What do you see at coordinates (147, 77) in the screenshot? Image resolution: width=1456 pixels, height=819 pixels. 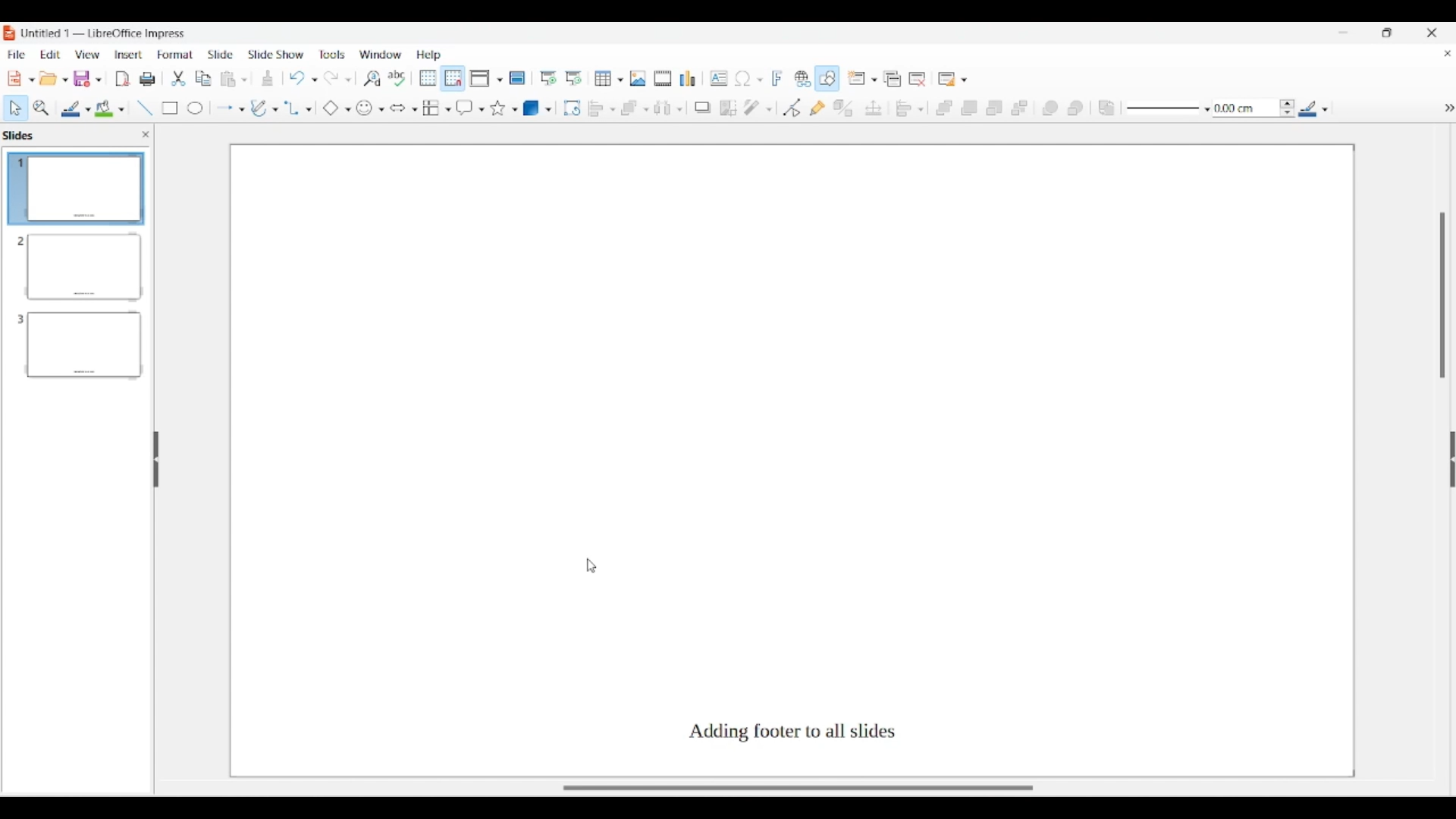 I see `Print` at bounding box center [147, 77].